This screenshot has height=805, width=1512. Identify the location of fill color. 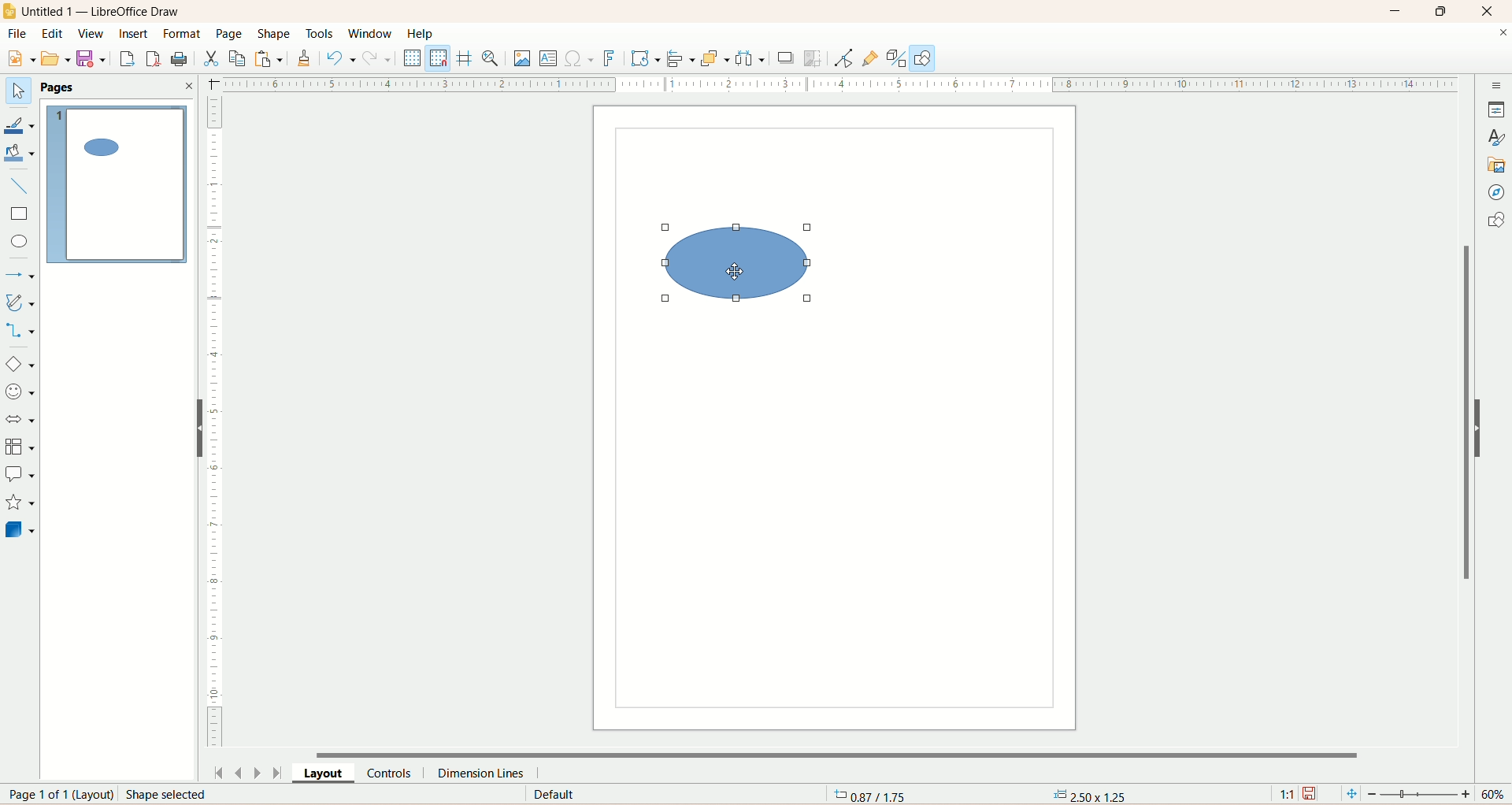
(20, 154).